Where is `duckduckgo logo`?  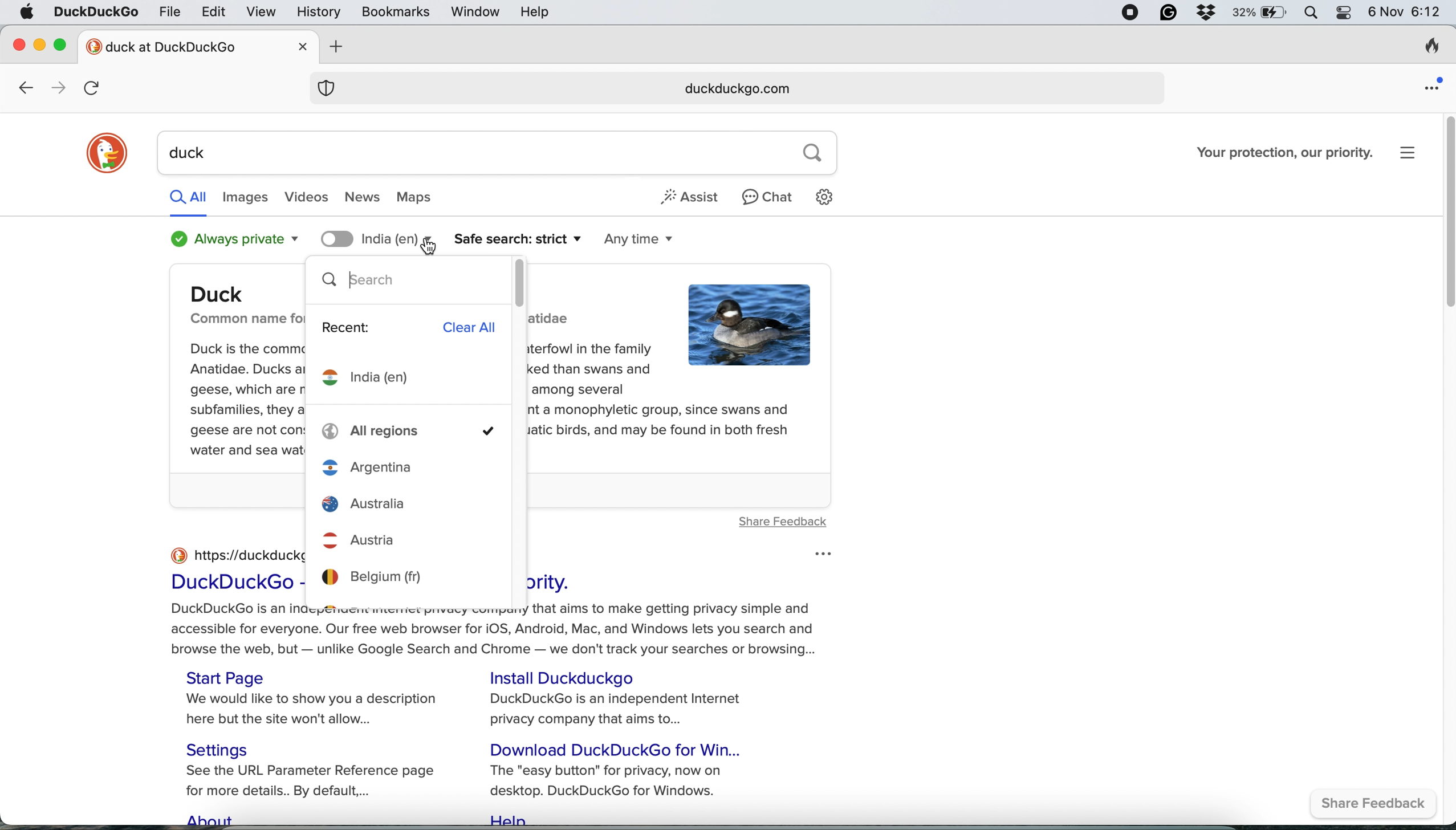
duckduckgo logo is located at coordinates (107, 154).